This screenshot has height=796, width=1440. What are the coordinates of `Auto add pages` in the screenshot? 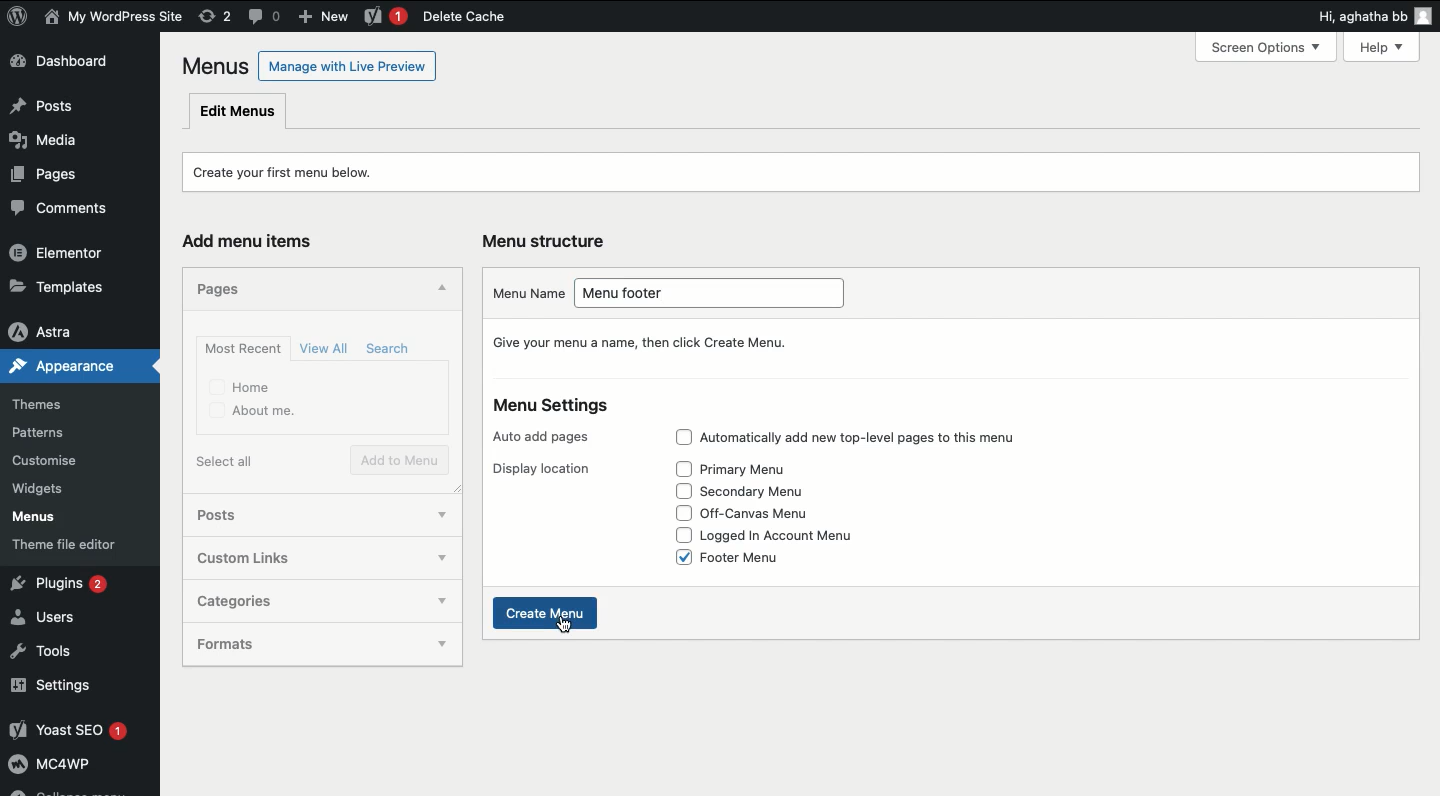 It's located at (540, 438).